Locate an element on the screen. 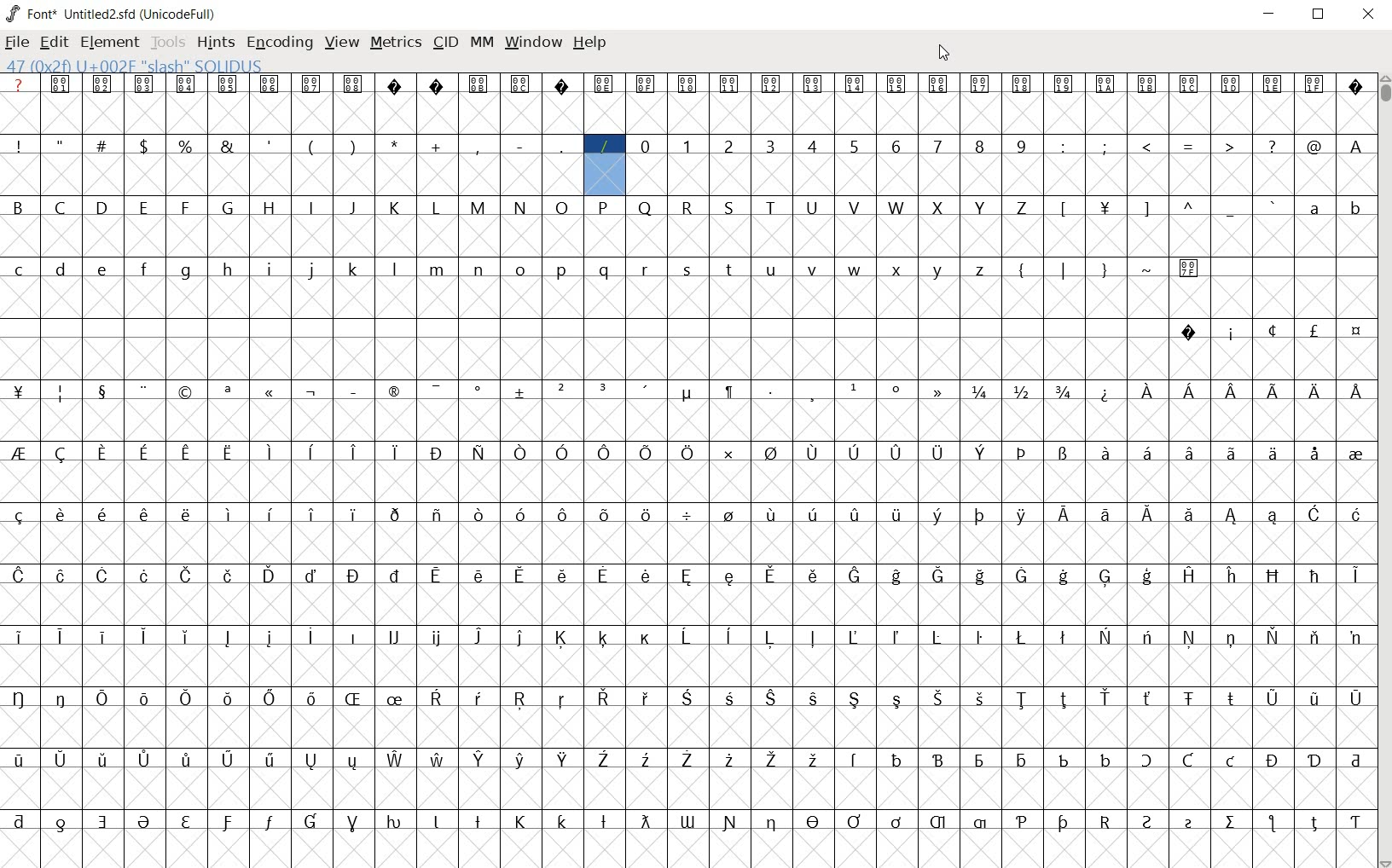 The height and width of the screenshot is (868, 1392). glyph is located at coordinates (728, 85).